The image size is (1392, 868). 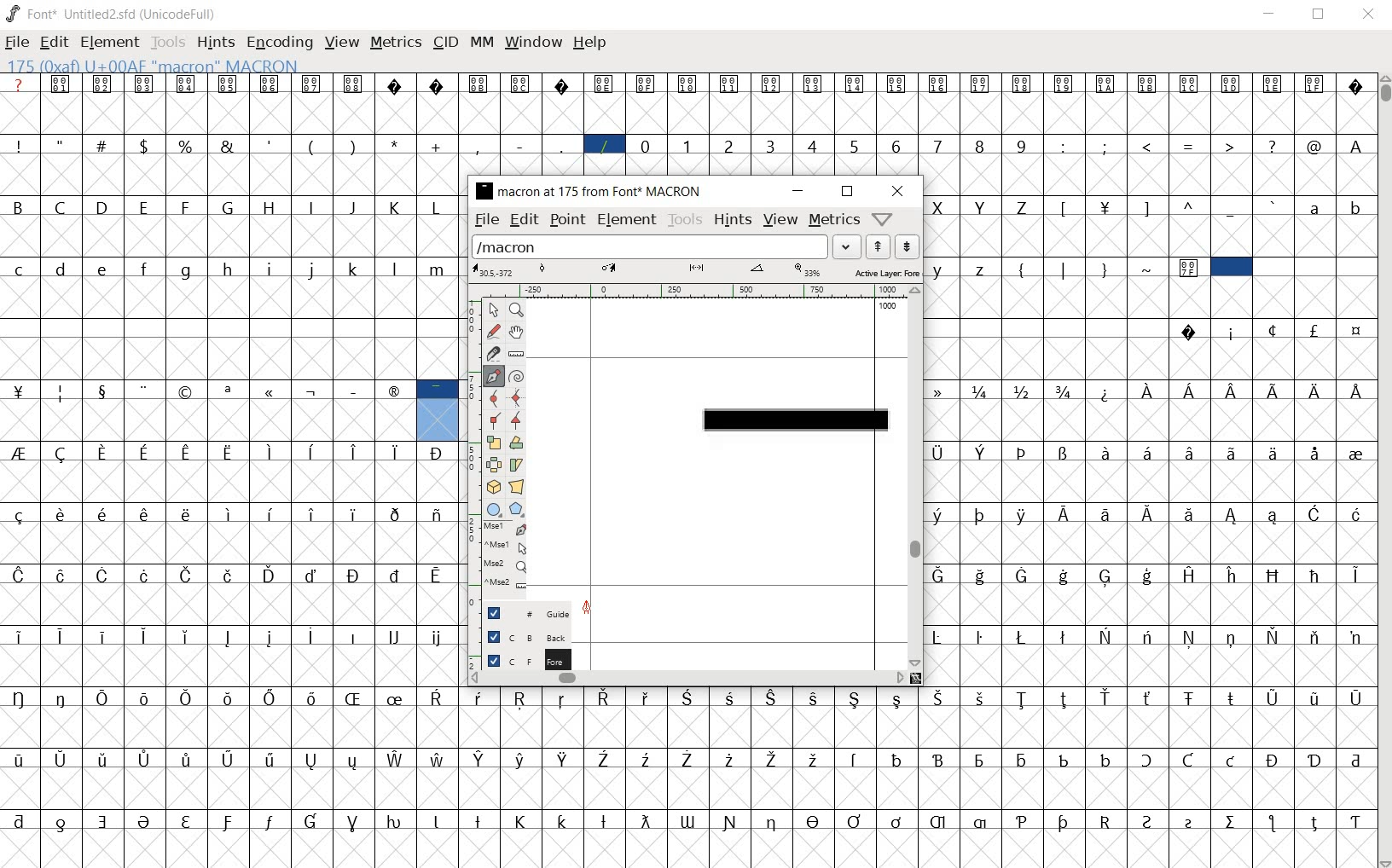 What do you see at coordinates (397, 697) in the screenshot?
I see `Symbol` at bounding box center [397, 697].